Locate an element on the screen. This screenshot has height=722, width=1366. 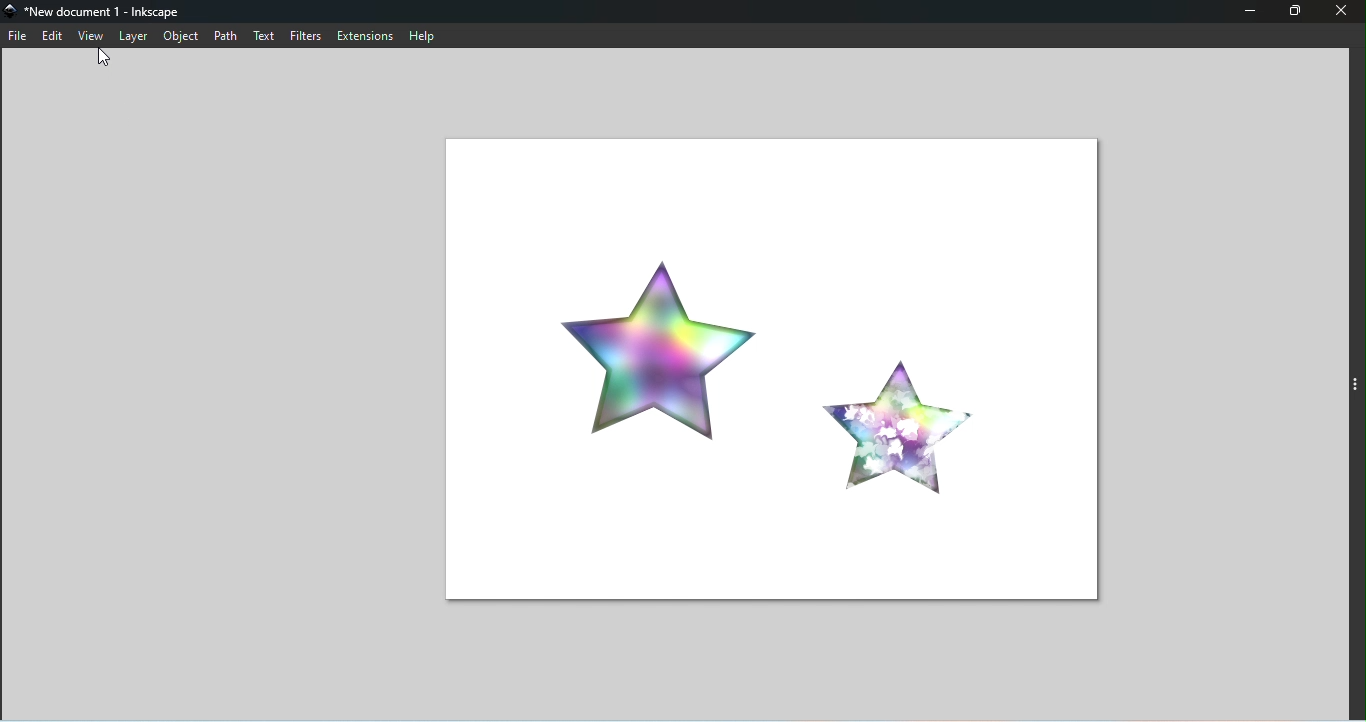
Layer is located at coordinates (136, 36).